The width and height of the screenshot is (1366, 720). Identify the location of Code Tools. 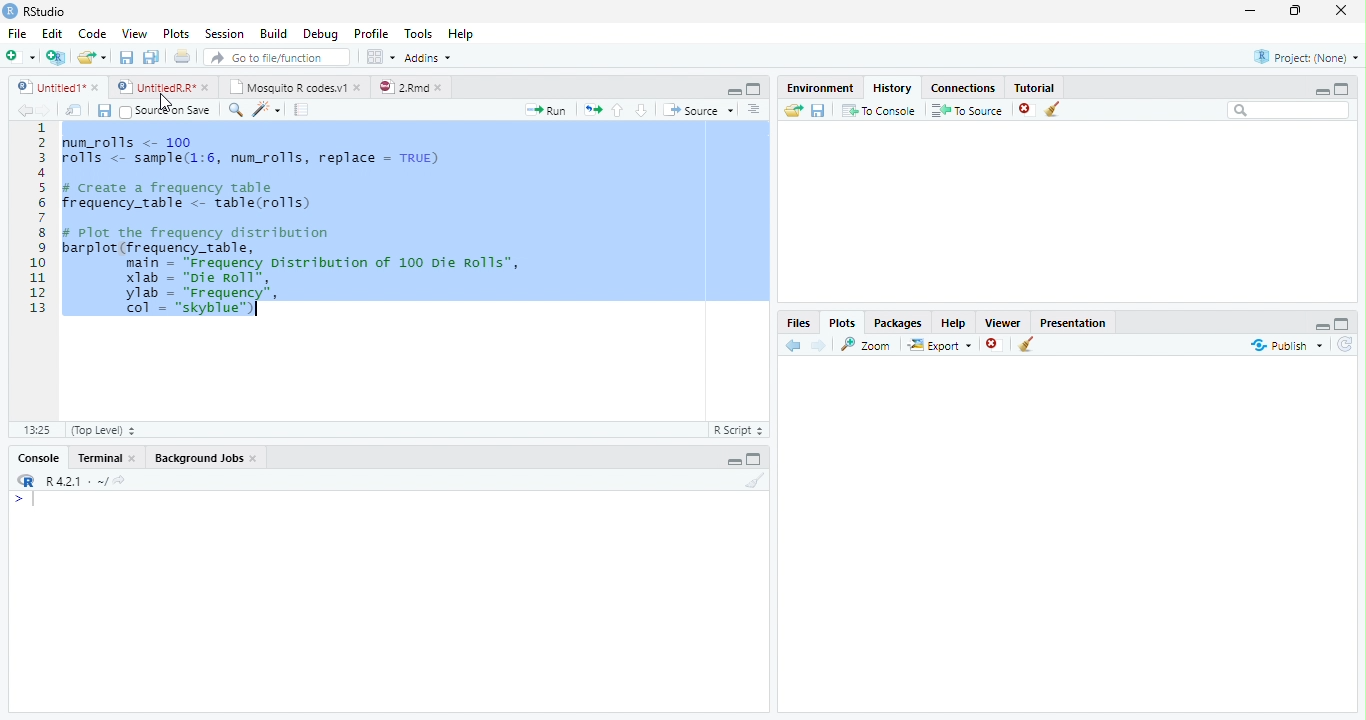
(265, 110).